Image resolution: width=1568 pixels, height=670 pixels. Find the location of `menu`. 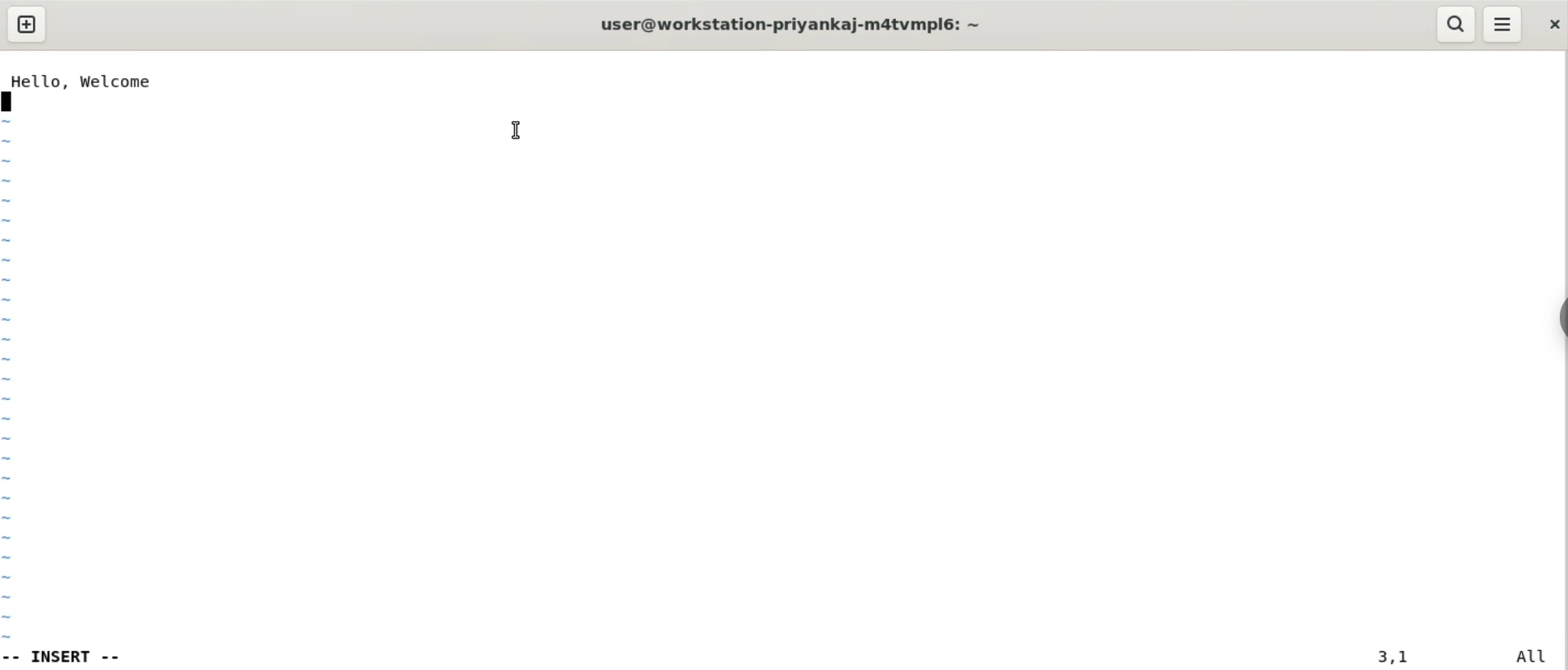

menu is located at coordinates (1504, 25).